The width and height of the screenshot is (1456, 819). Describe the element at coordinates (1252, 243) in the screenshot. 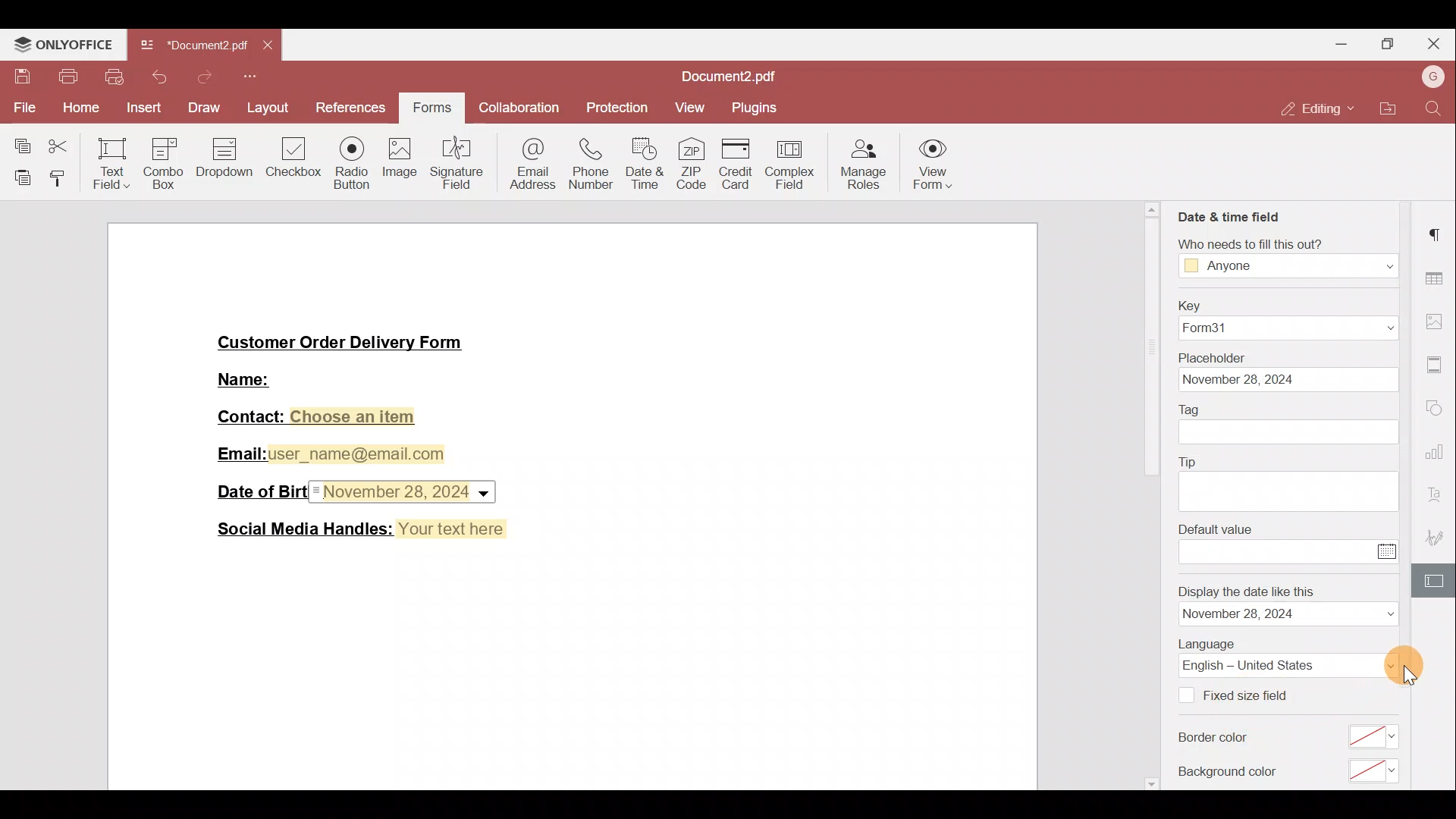

I see `Who needs to fill this out?` at that location.